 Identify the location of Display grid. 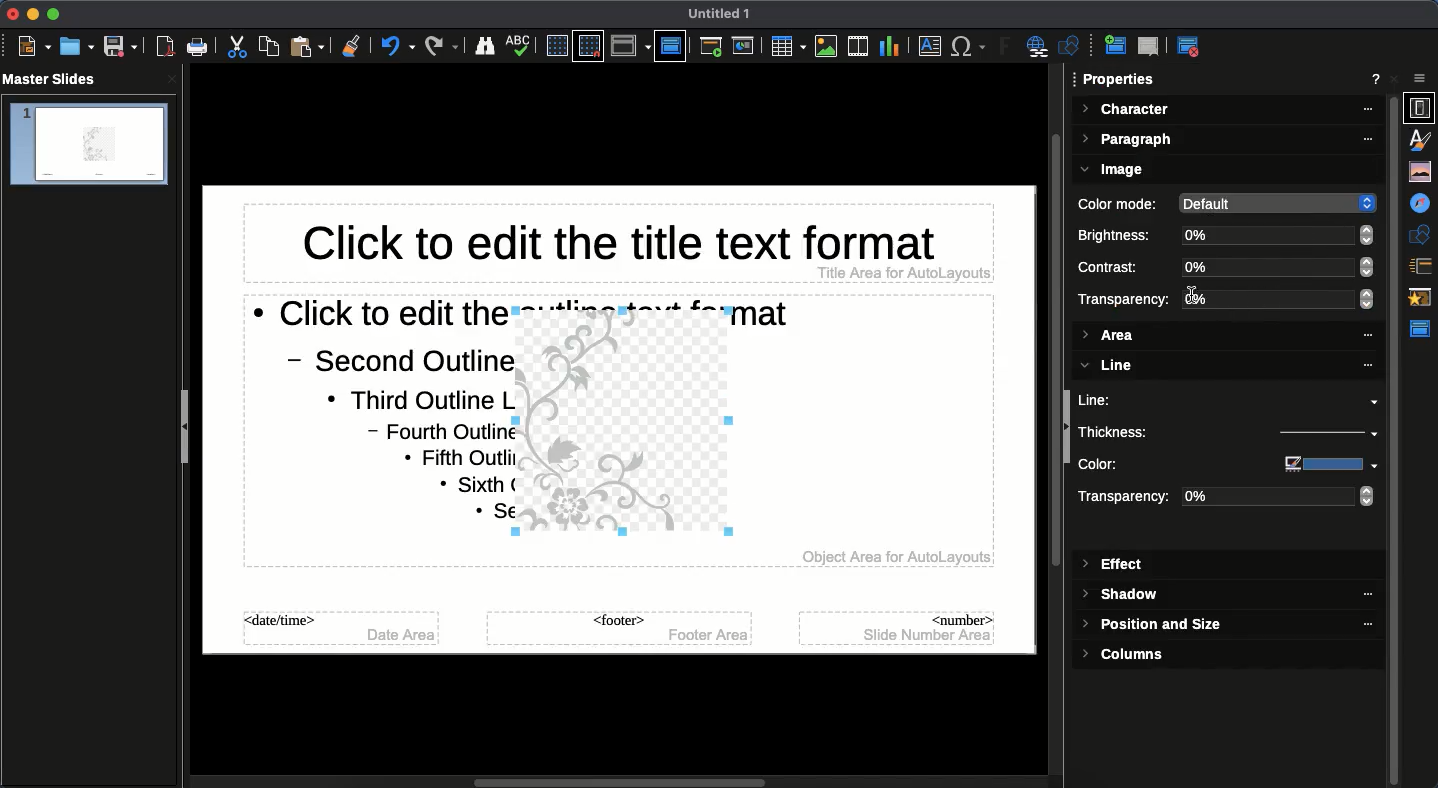
(555, 45).